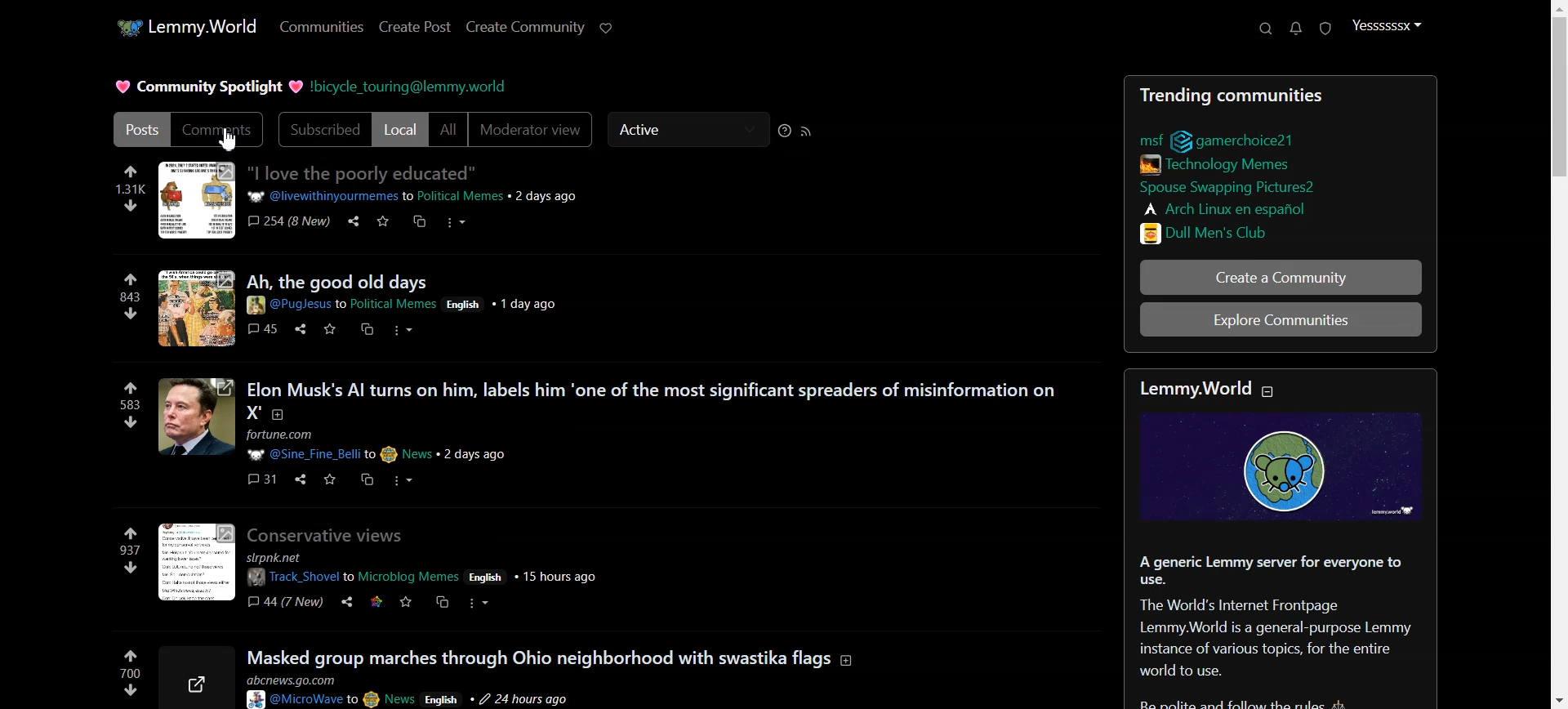 Image resolution: width=1568 pixels, height=709 pixels. I want to click on 843, so click(129, 296).